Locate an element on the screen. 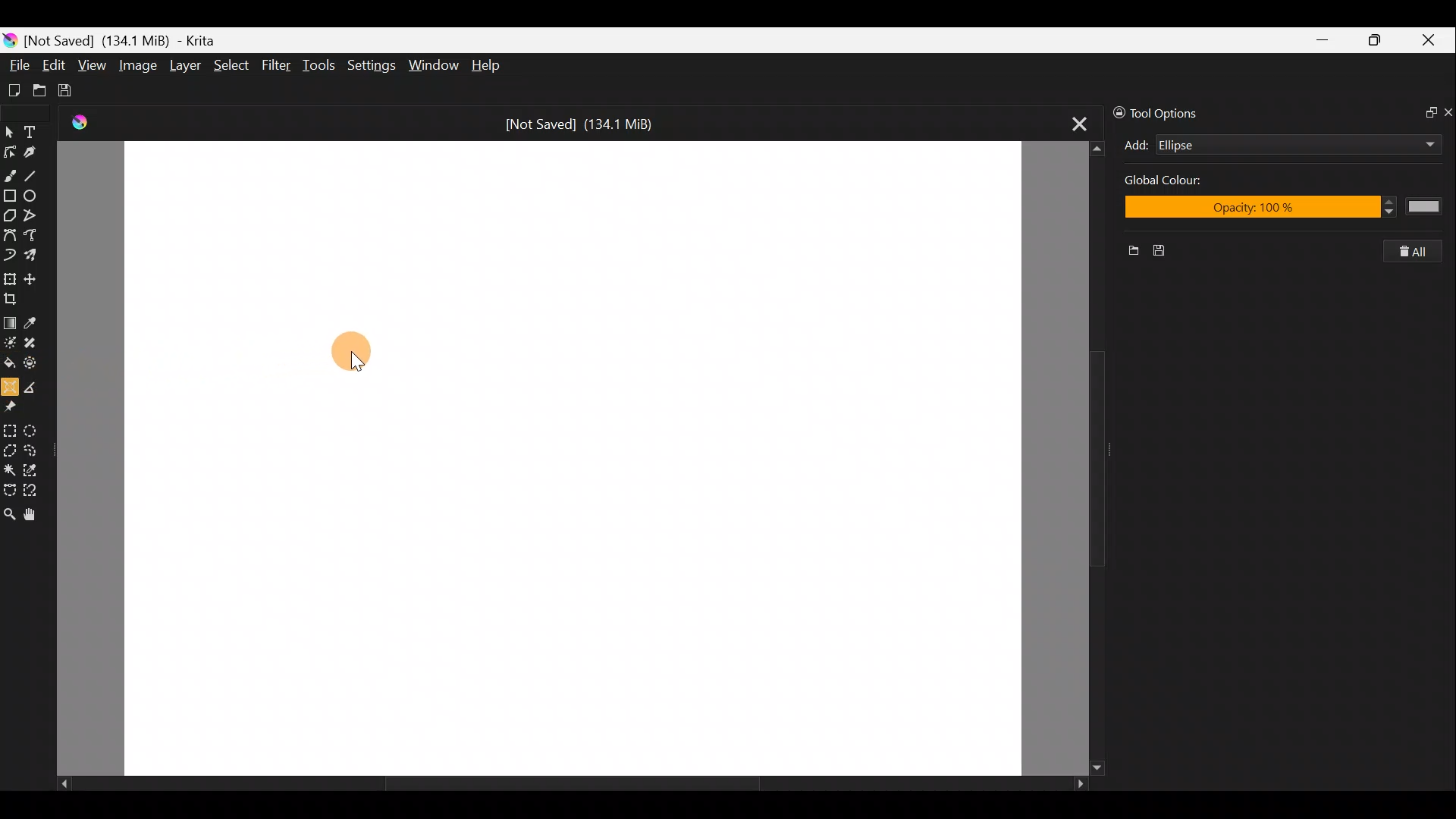 The height and width of the screenshot is (819, 1456). Add is located at coordinates (1136, 145).